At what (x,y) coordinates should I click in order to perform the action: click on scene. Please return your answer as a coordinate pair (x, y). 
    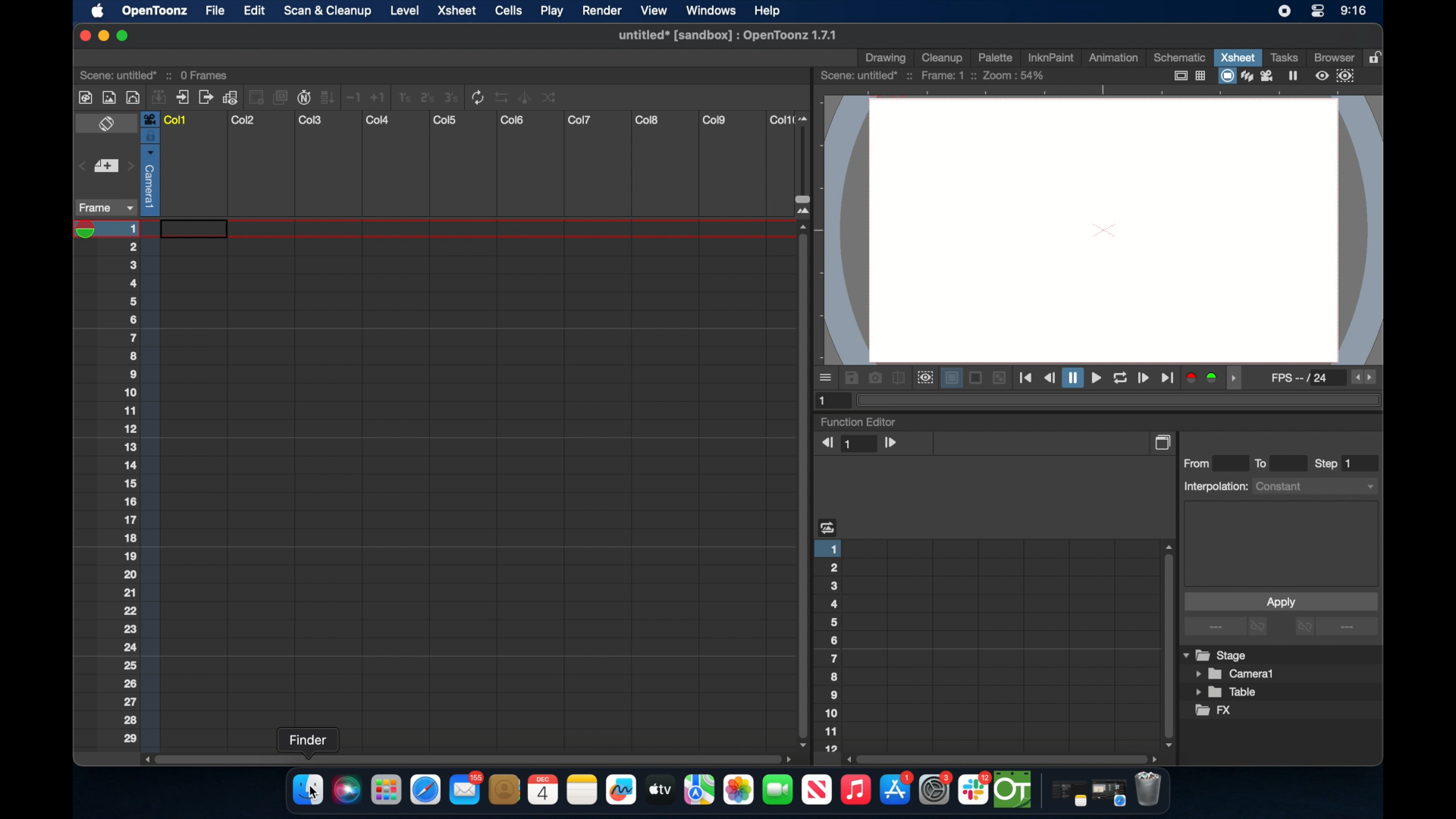
    Looking at the image, I should click on (934, 76).